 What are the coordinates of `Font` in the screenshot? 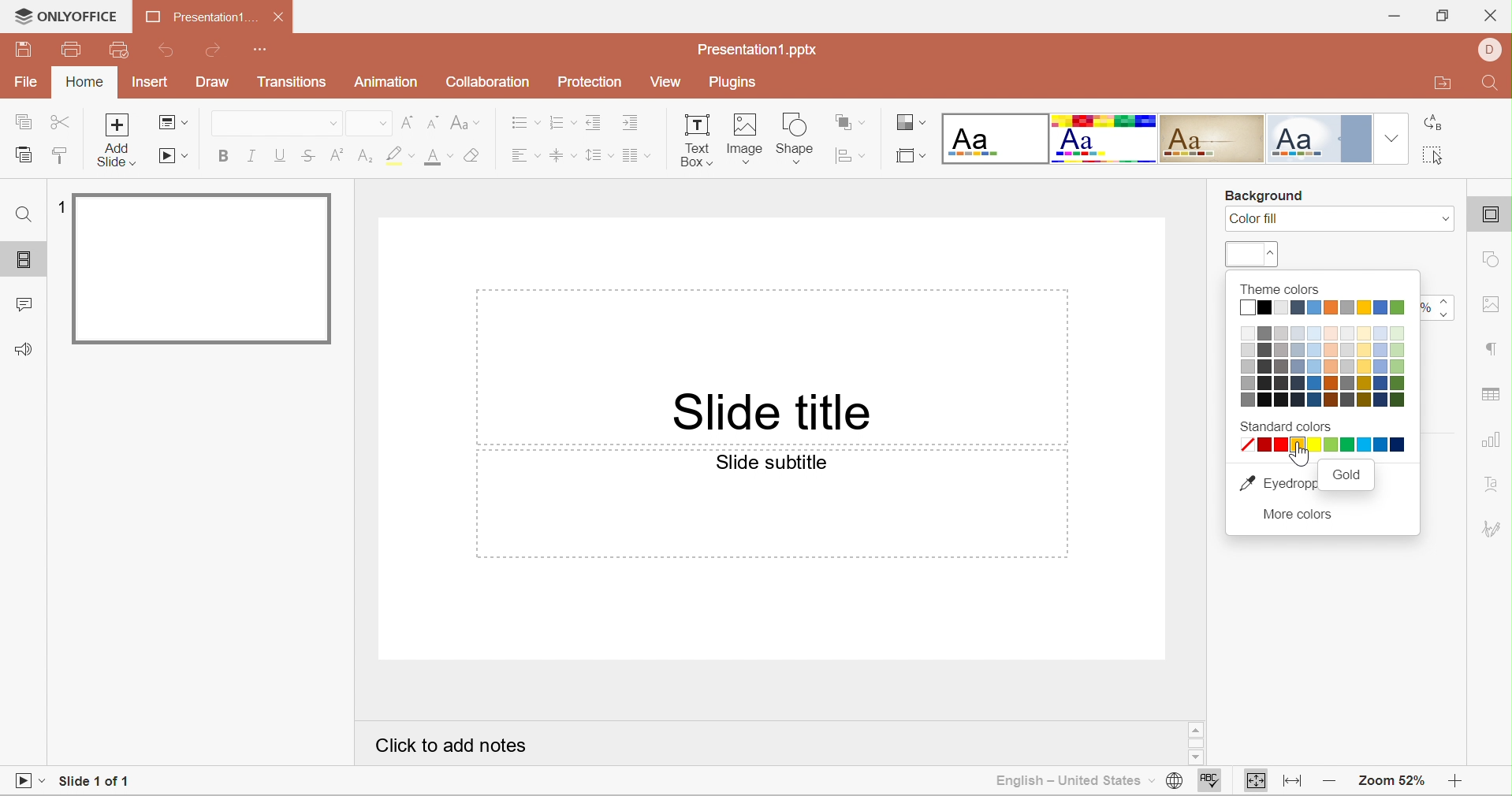 It's located at (254, 124).